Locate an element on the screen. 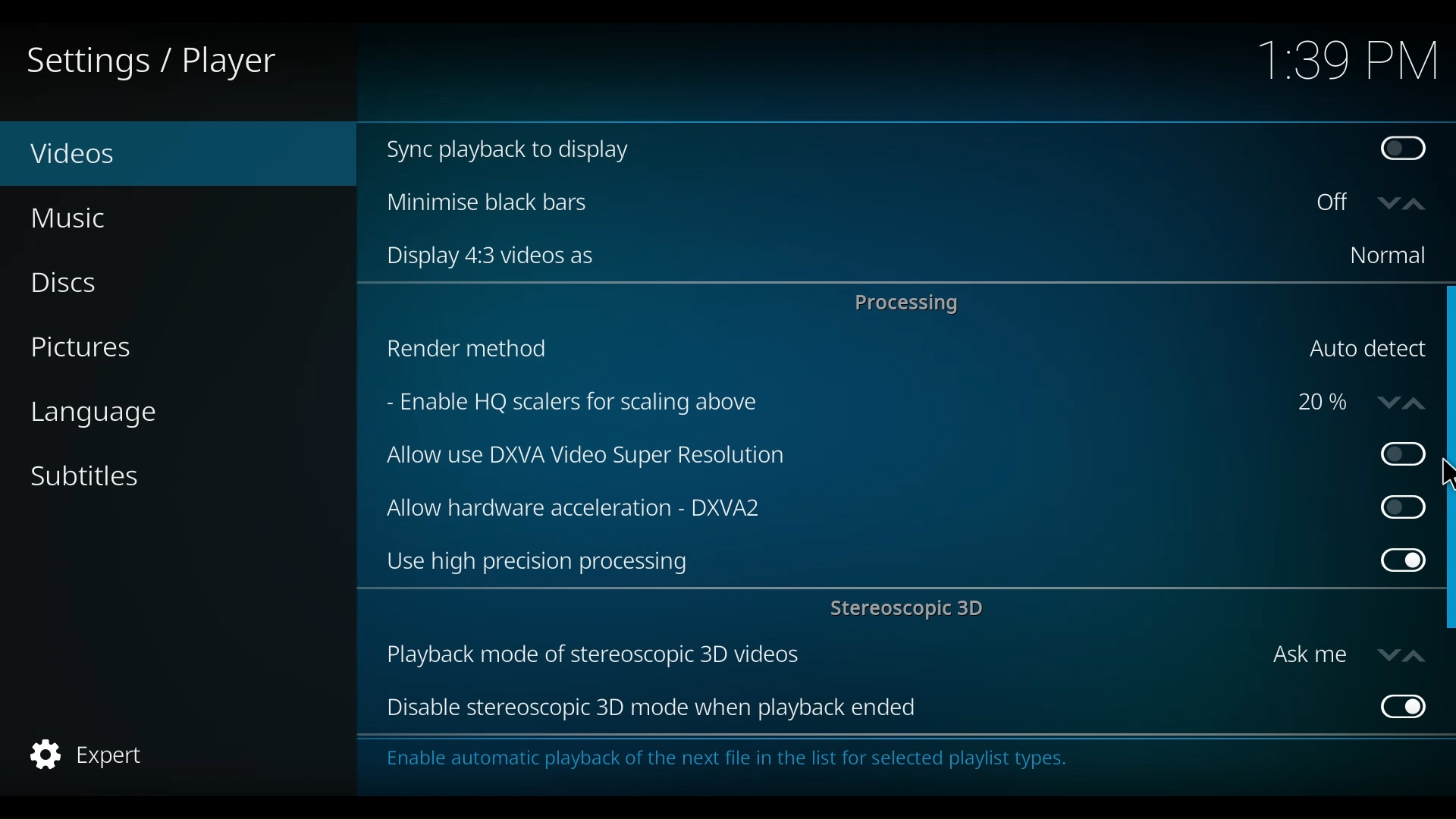  Auto detect is located at coordinates (1366, 350).